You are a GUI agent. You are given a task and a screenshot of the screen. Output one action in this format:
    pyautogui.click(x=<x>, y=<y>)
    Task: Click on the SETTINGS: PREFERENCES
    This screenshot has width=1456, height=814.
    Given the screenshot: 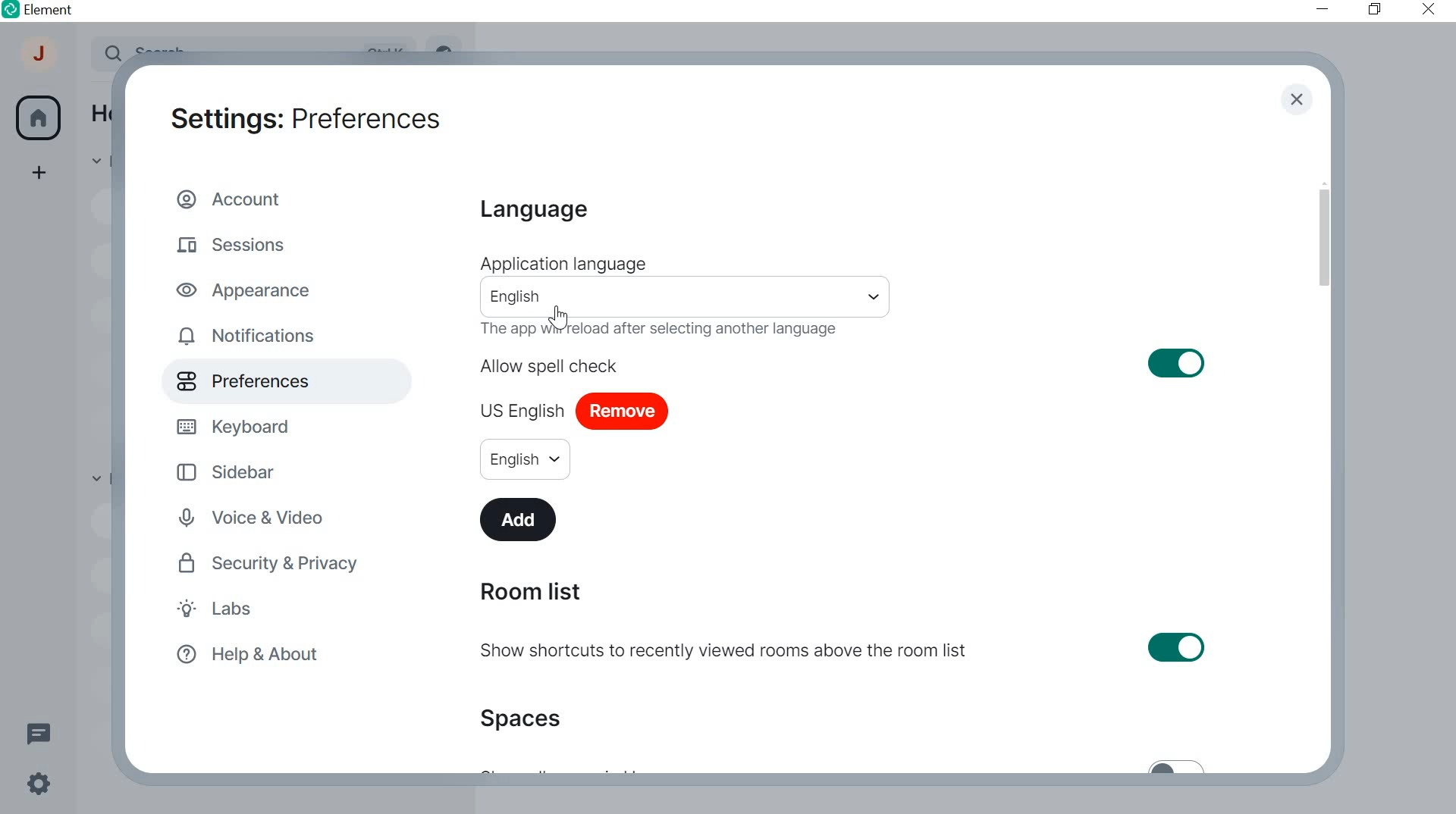 What is the action you would take?
    pyautogui.click(x=305, y=116)
    